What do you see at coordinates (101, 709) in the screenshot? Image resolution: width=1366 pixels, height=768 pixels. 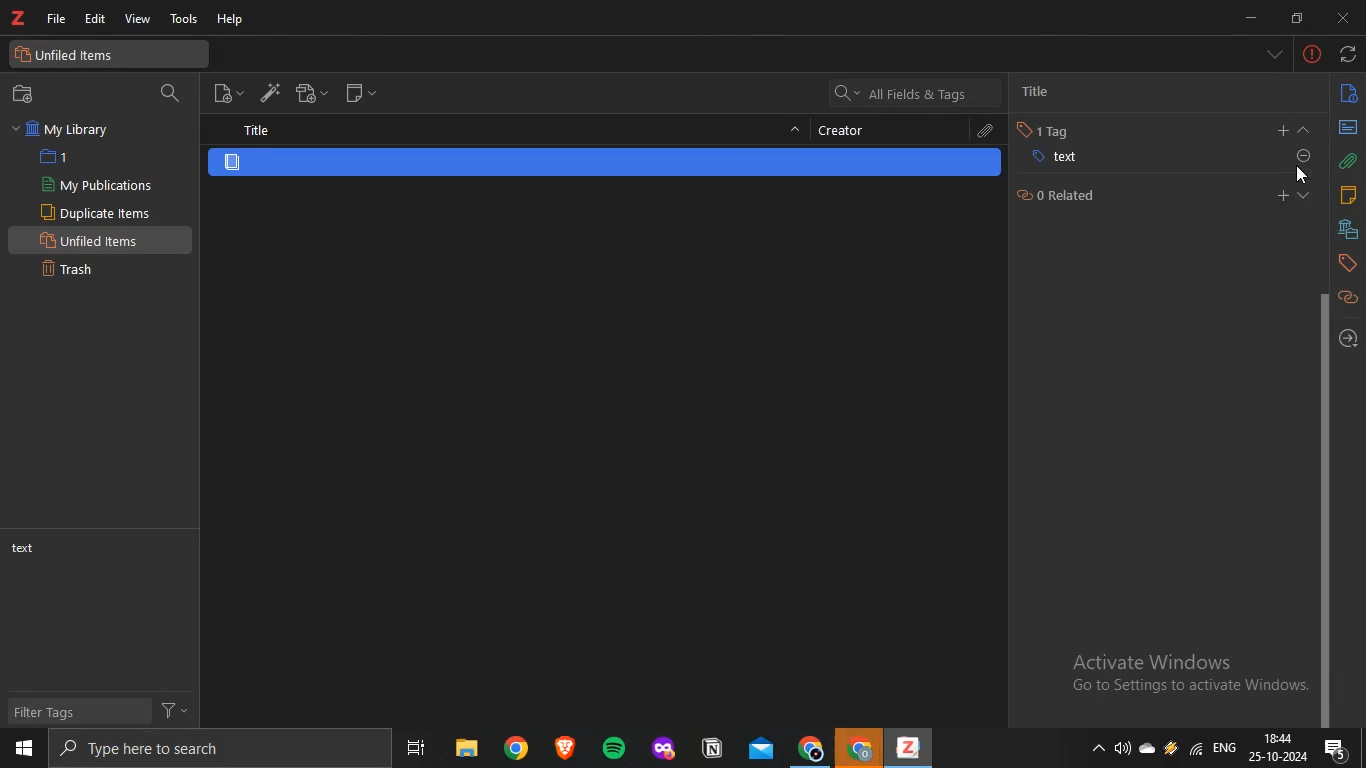 I see `filter tags` at bounding box center [101, 709].